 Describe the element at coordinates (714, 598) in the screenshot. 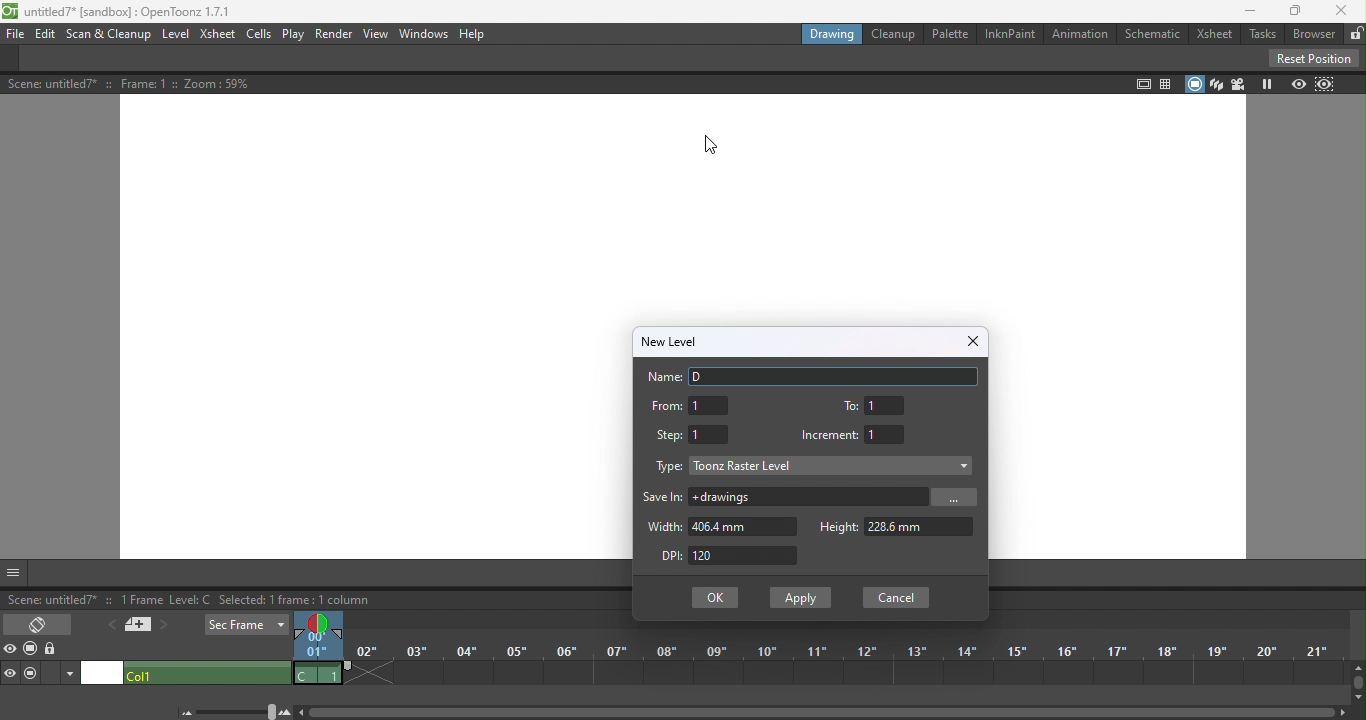

I see `OK` at that location.